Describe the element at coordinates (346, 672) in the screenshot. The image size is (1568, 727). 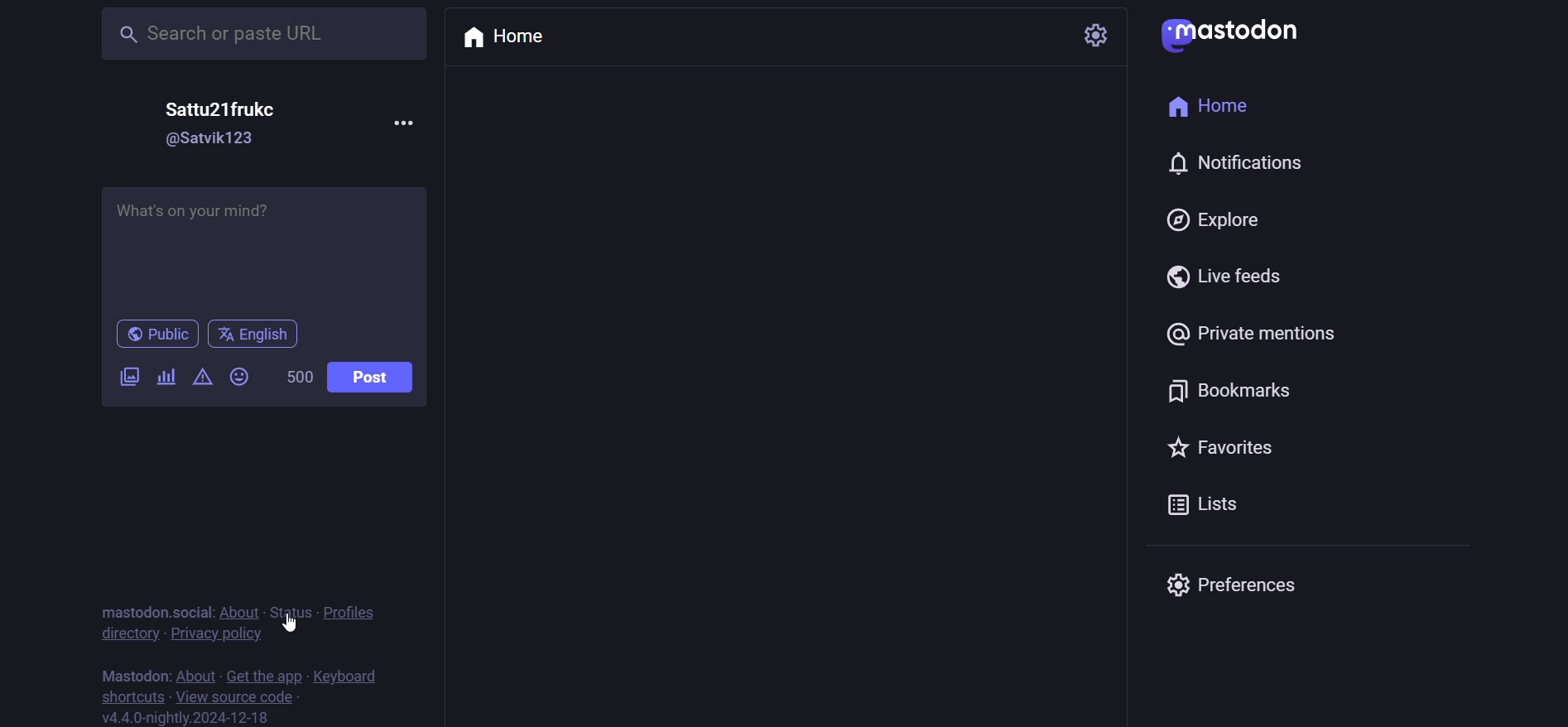
I see `keyboard` at that location.